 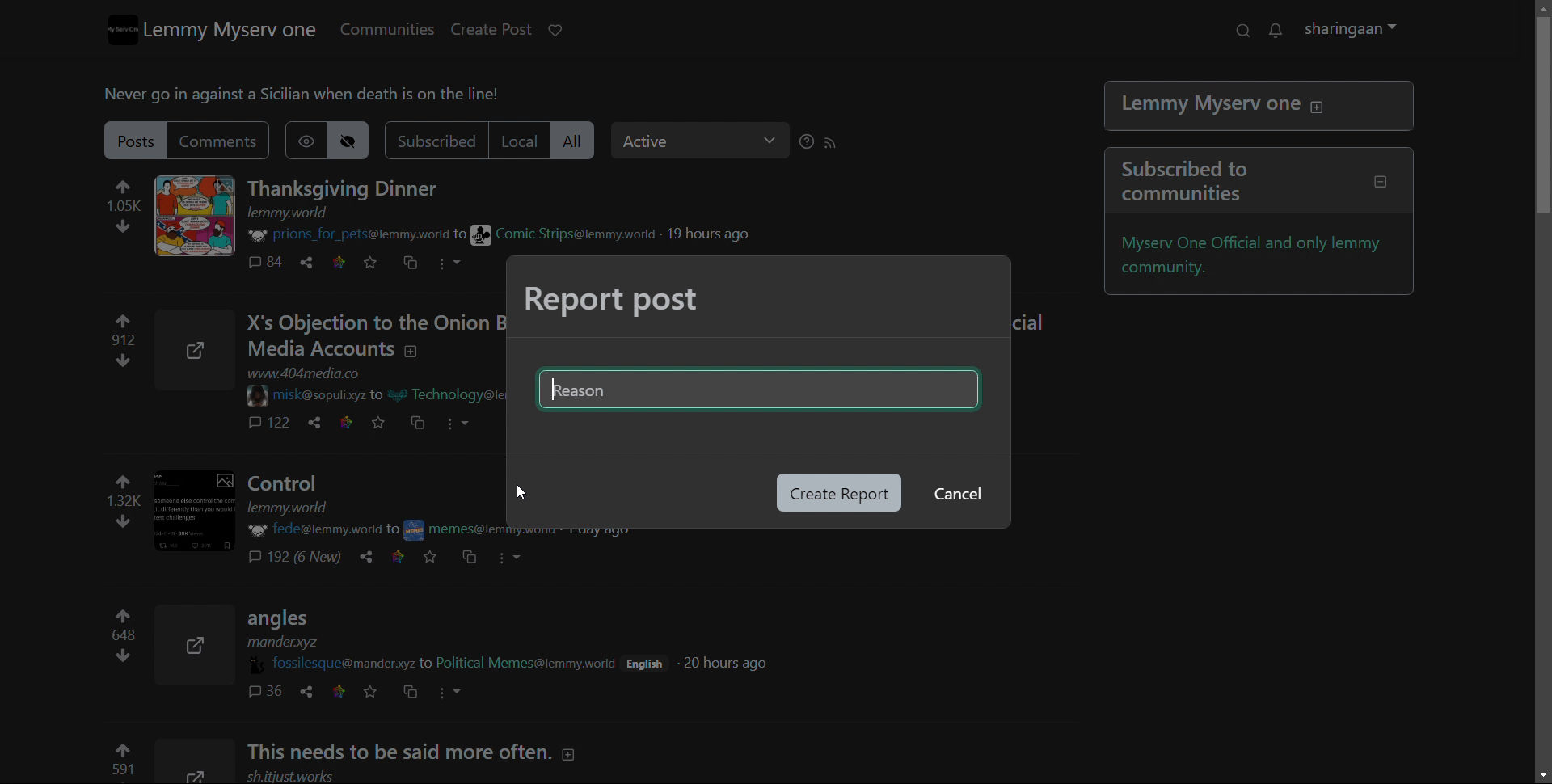 I want to click on comments, so click(x=272, y=692).